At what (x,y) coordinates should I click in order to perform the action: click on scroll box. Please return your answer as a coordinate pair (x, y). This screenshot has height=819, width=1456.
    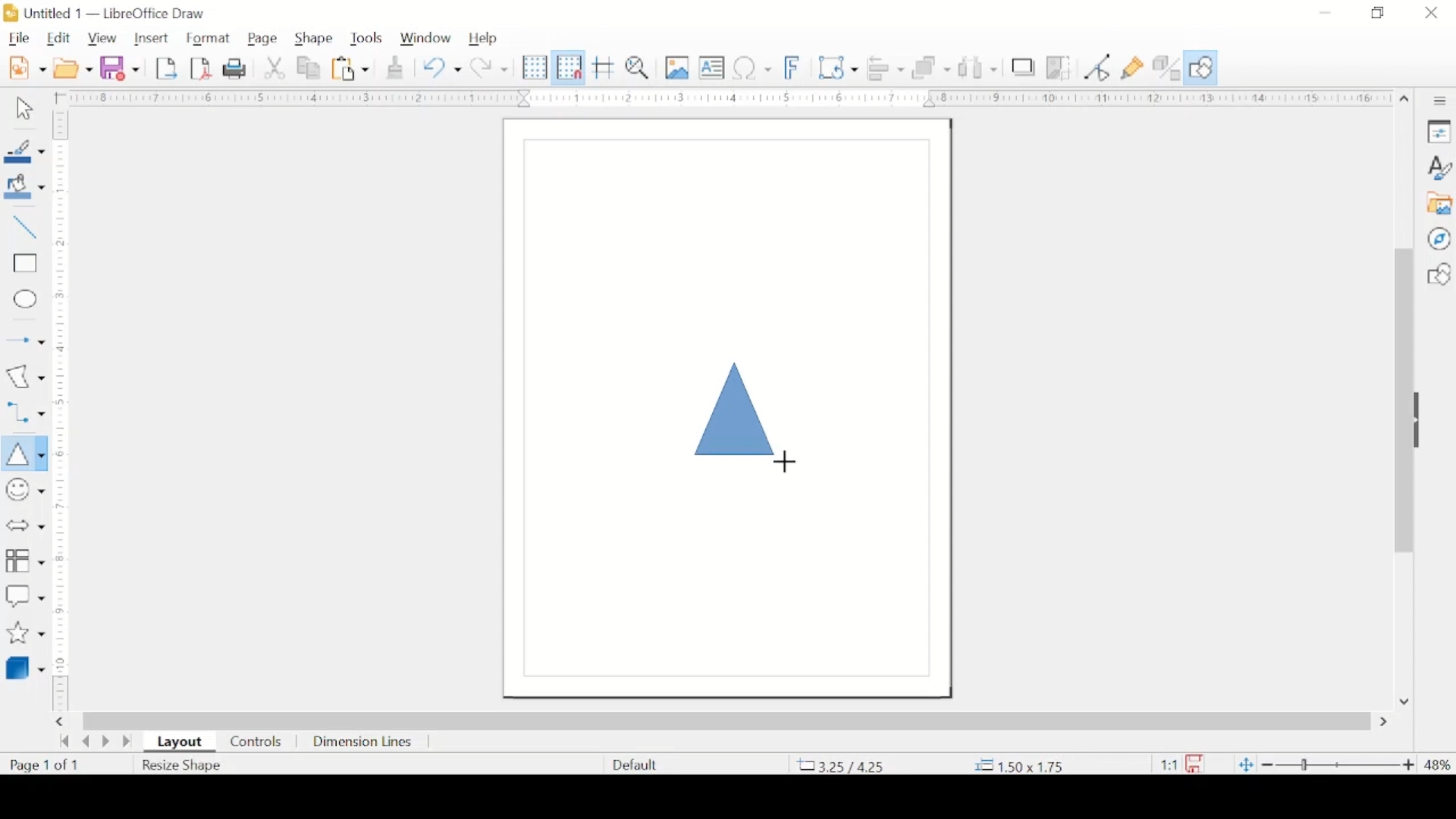
    Looking at the image, I should click on (728, 719).